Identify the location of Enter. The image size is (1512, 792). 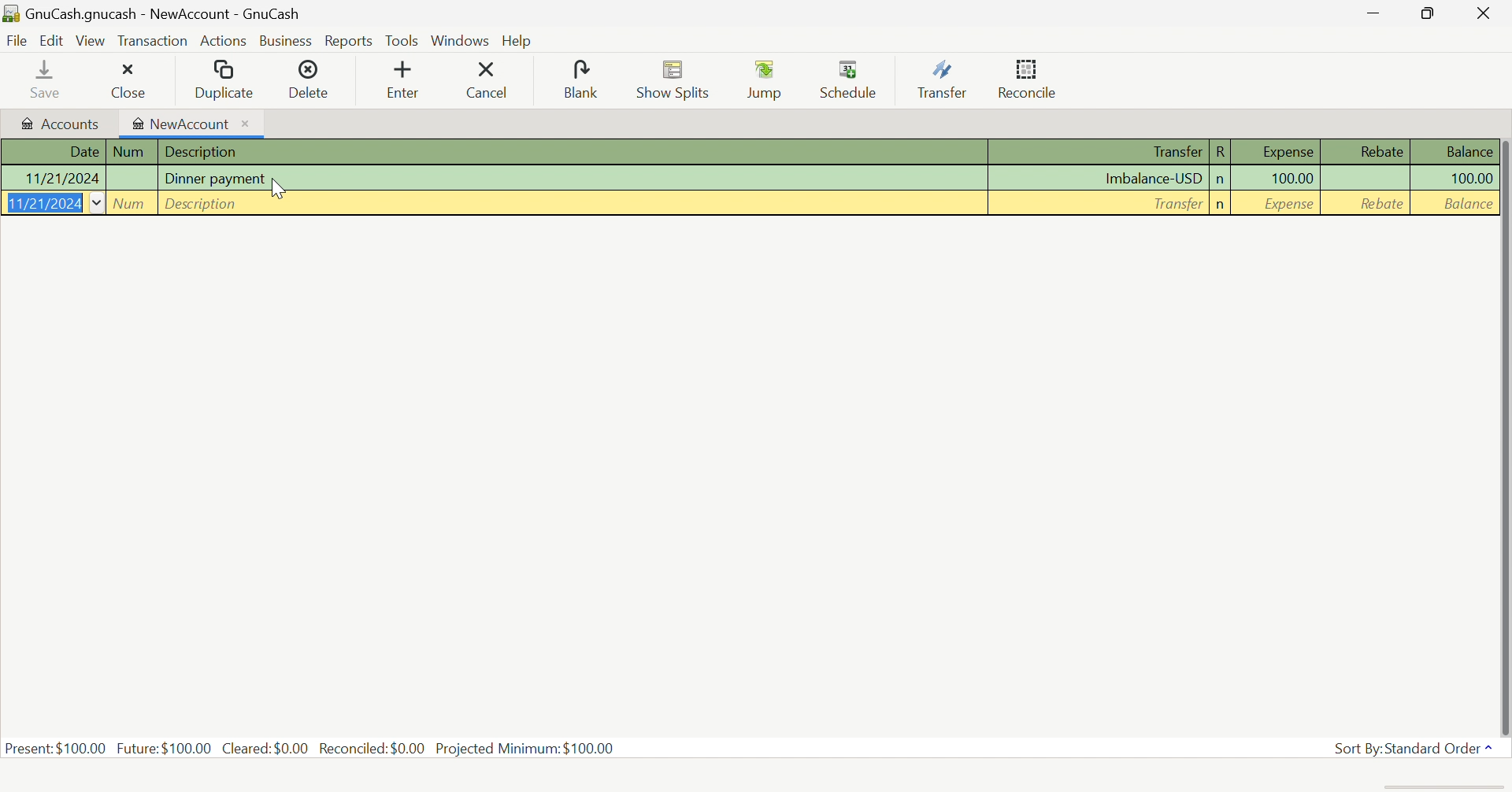
(412, 81).